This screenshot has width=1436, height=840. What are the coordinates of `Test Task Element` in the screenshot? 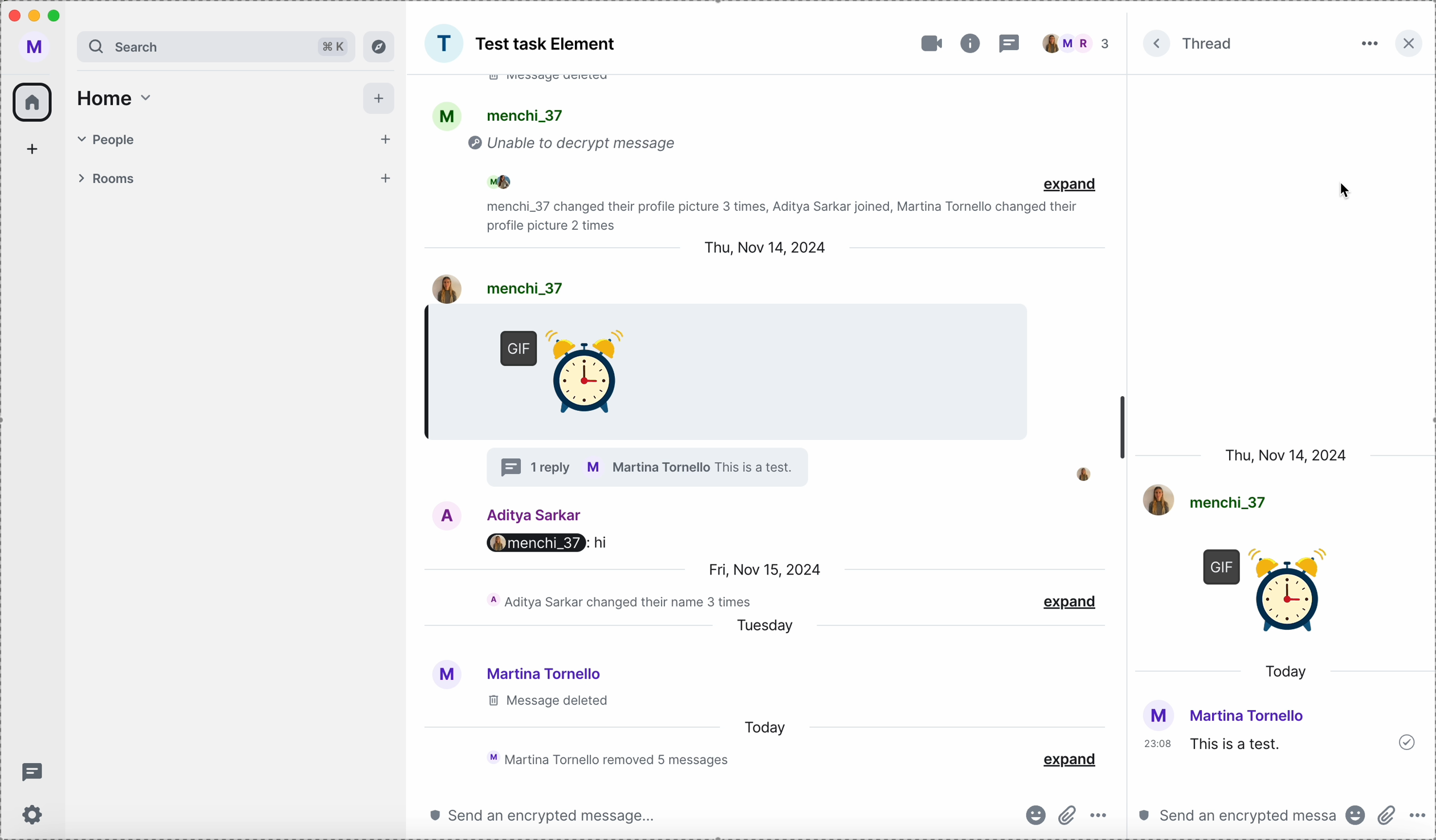 It's located at (548, 44).